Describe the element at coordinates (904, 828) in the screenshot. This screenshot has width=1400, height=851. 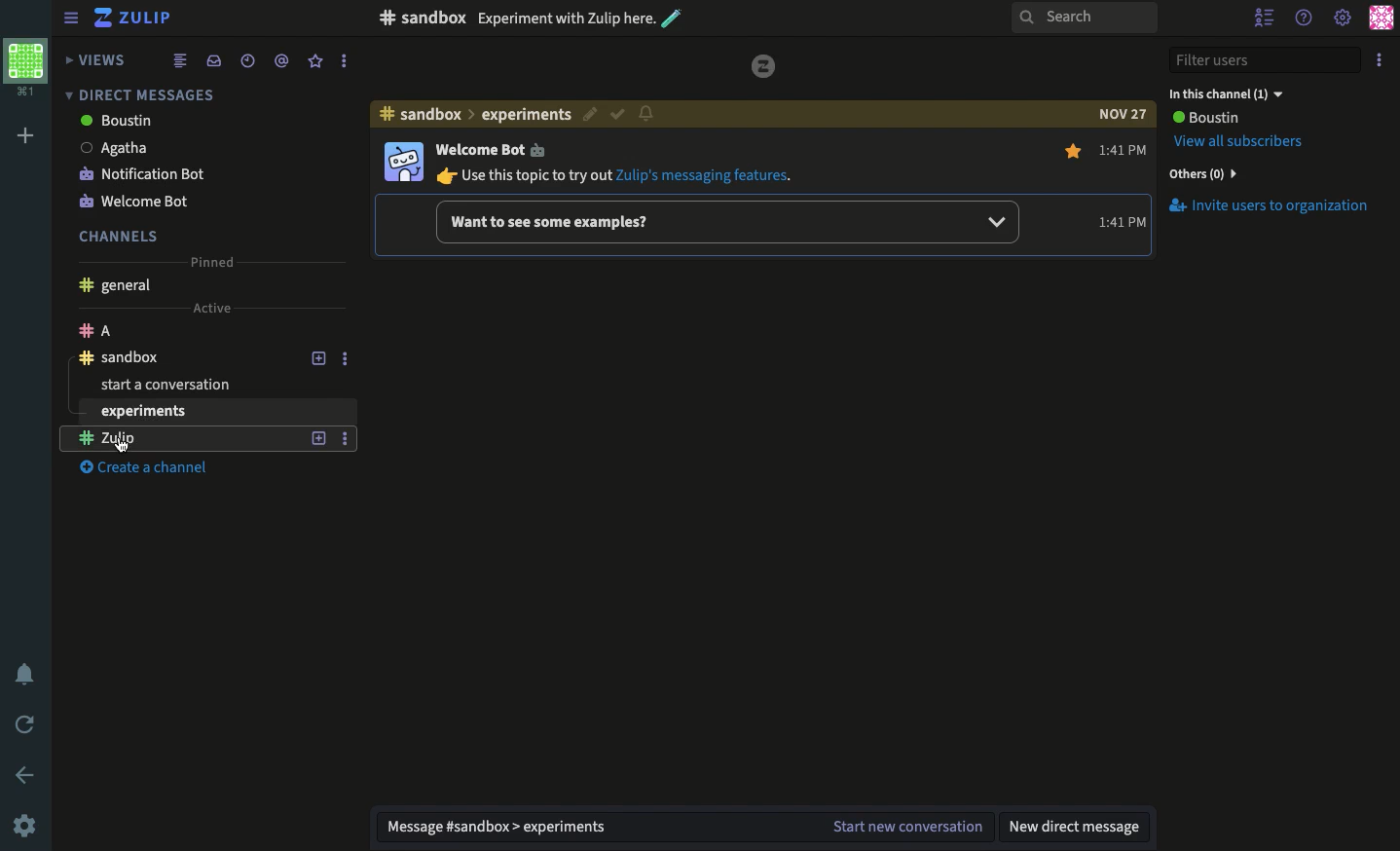
I see `Start the conversation` at that location.